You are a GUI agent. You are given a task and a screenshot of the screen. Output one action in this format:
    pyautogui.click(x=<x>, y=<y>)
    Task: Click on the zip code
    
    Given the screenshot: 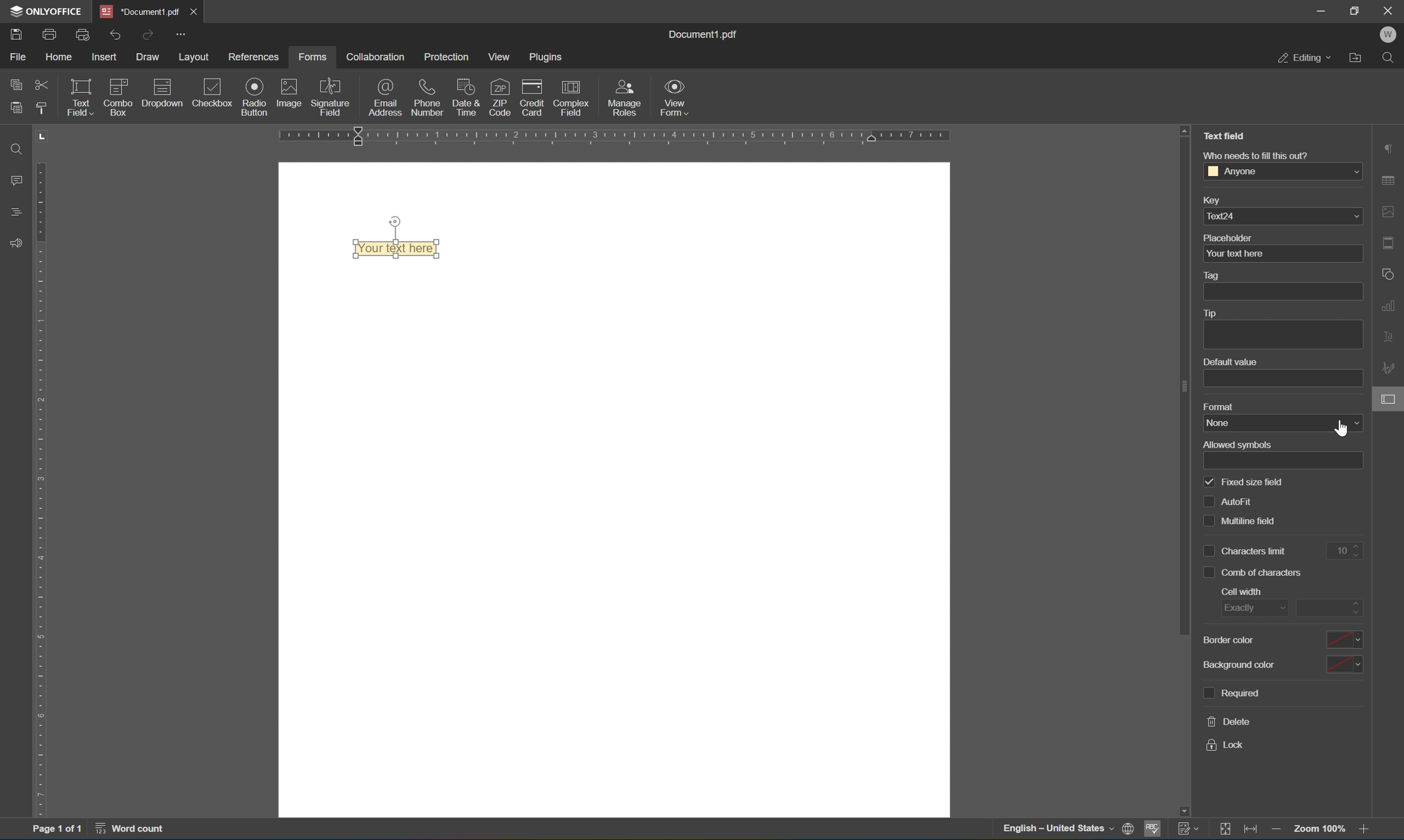 What is the action you would take?
    pyautogui.click(x=500, y=97)
    